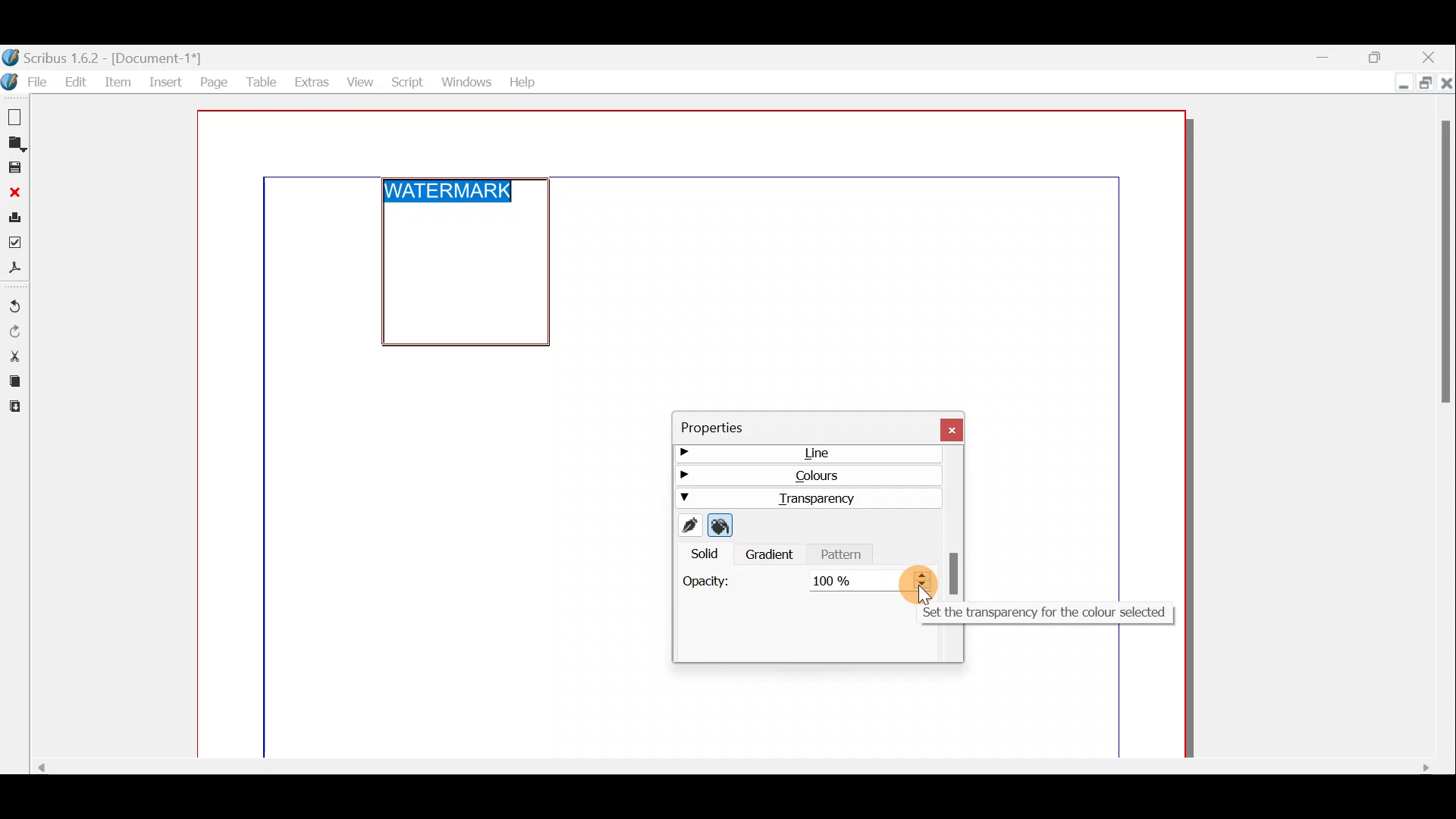 Image resolution: width=1456 pixels, height=819 pixels. Describe the element at coordinates (952, 425) in the screenshot. I see `Close` at that location.